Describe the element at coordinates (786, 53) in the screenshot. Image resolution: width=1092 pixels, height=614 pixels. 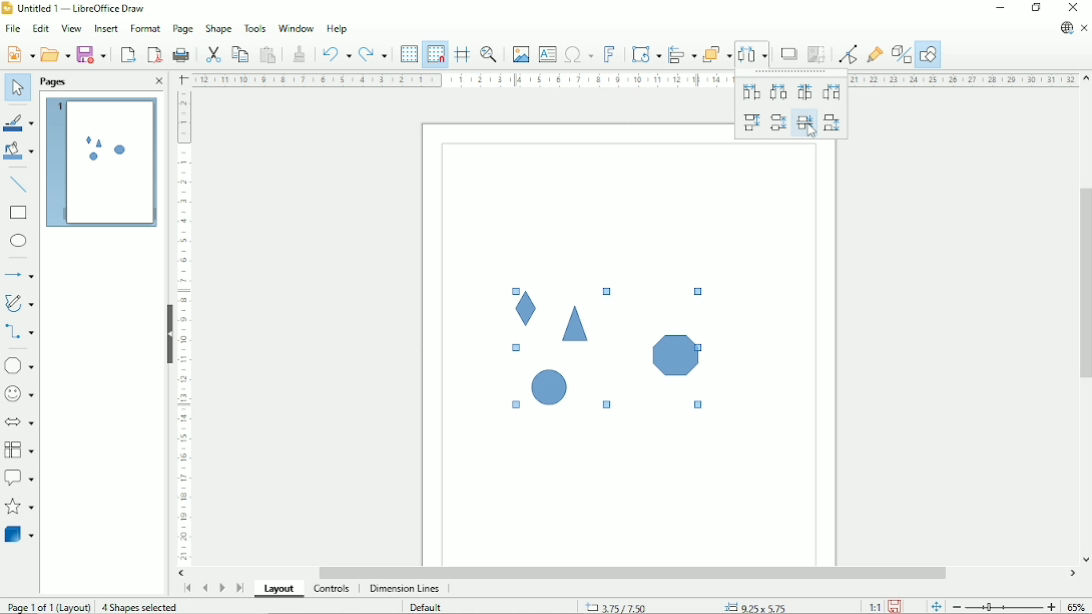
I see `Shadow` at that location.